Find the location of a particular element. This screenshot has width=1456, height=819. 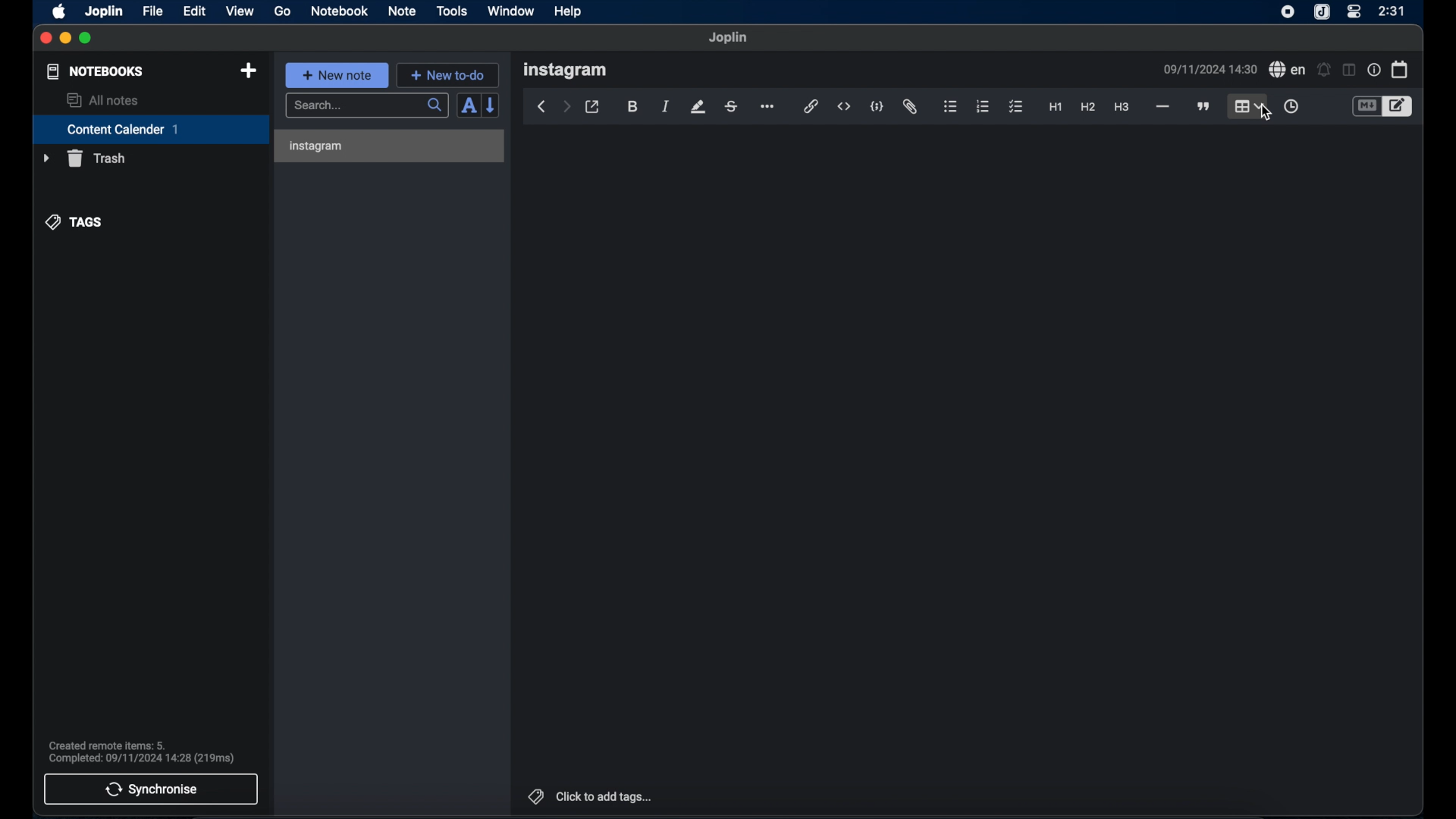

content calendar 1 is located at coordinates (151, 129).